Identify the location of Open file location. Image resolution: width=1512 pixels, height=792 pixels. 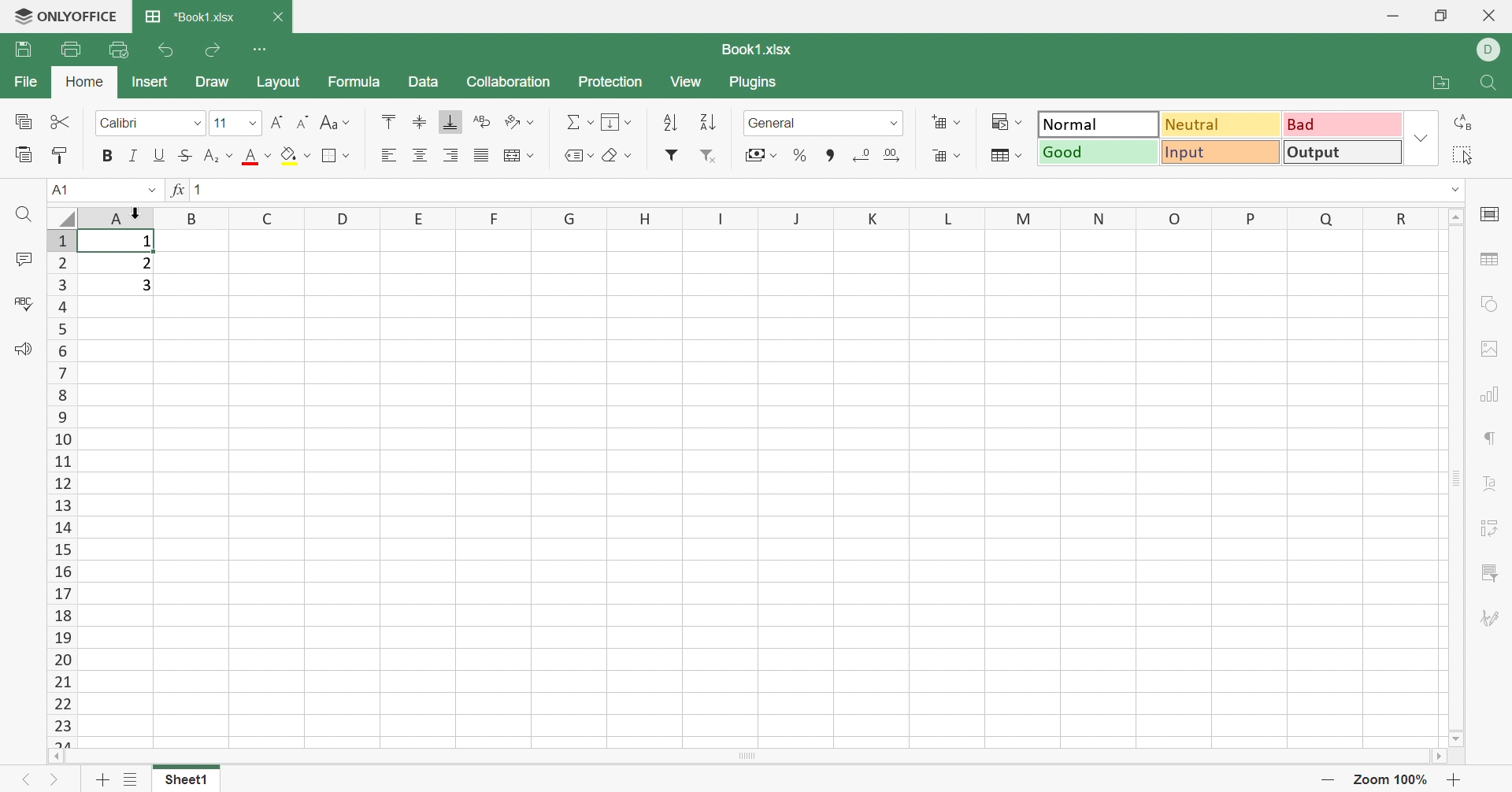
(1439, 83).